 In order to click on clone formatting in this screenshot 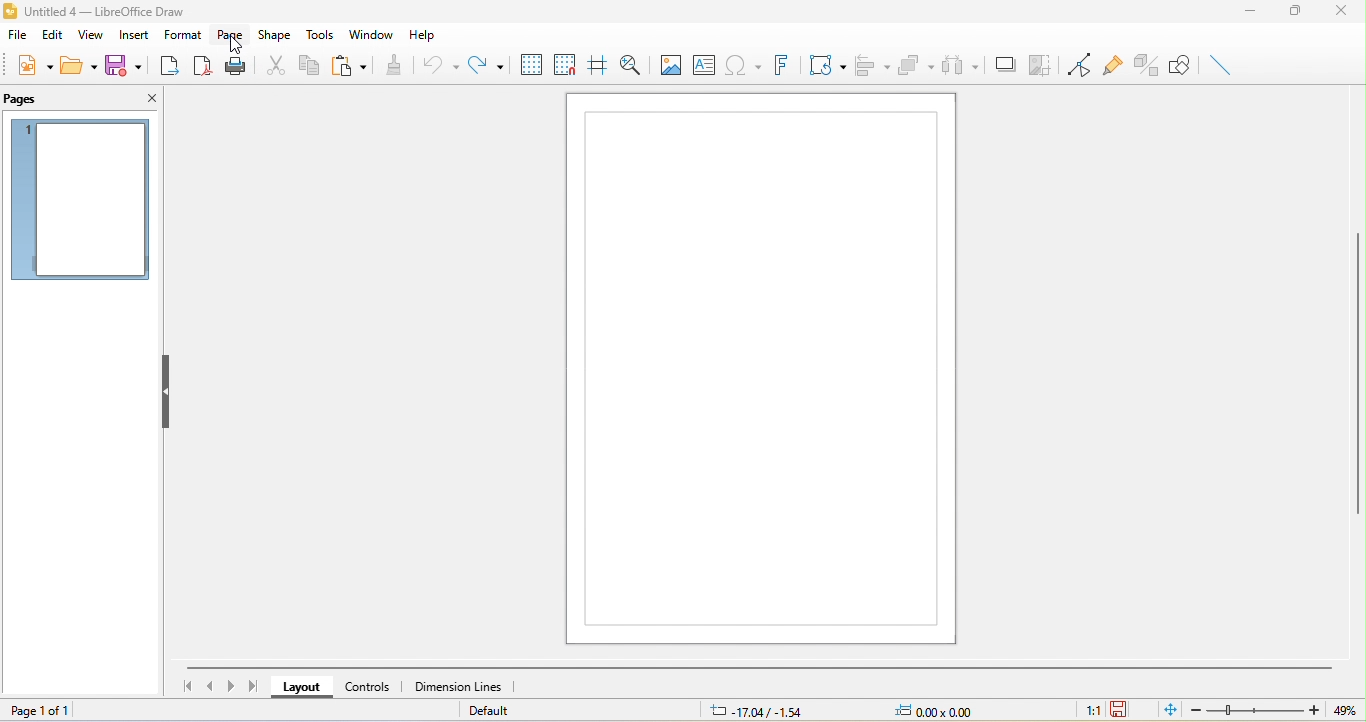, I will do `click(396, 68)`.